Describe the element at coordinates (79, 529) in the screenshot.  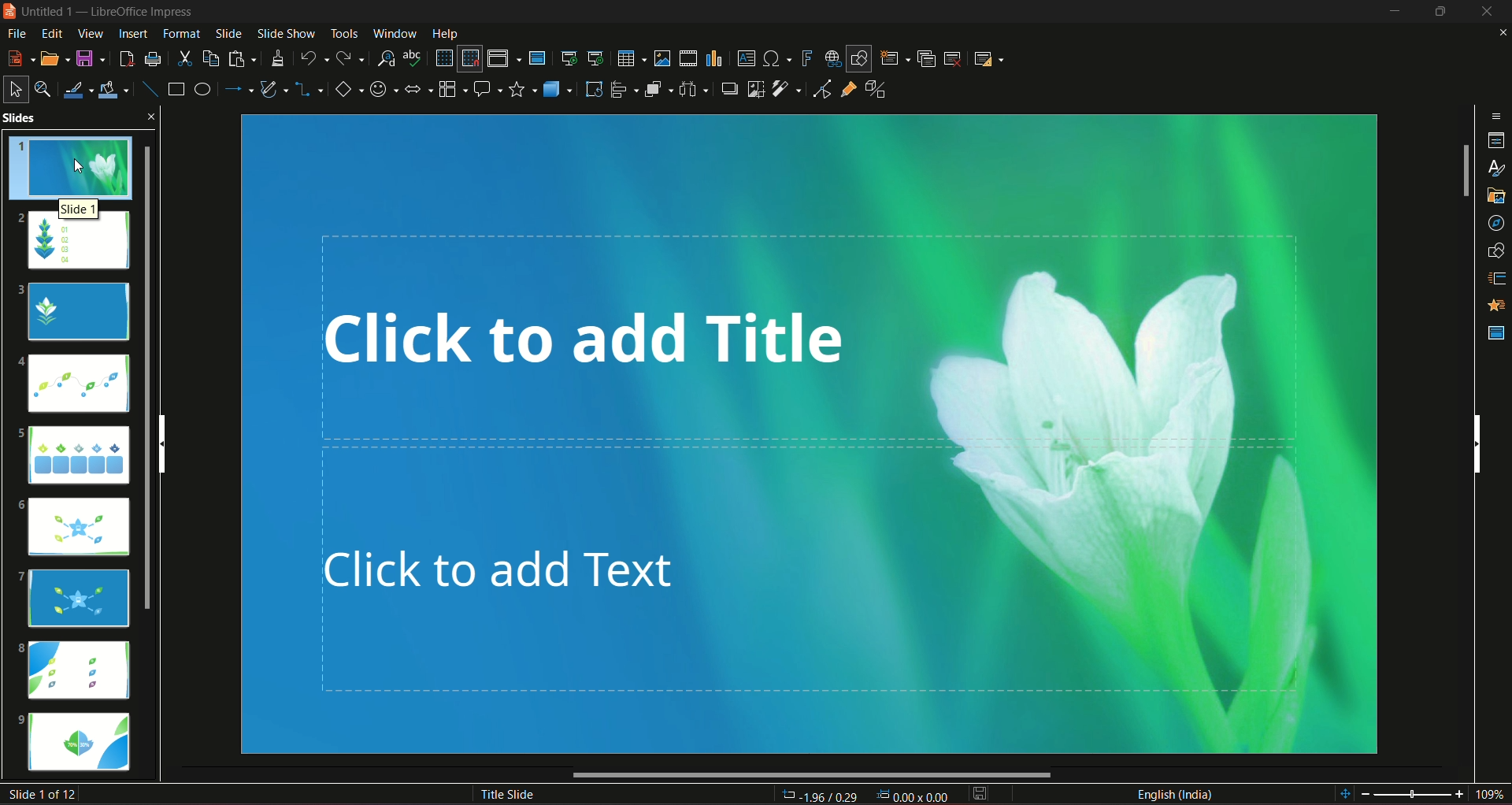
I see `slide 6` at that location.